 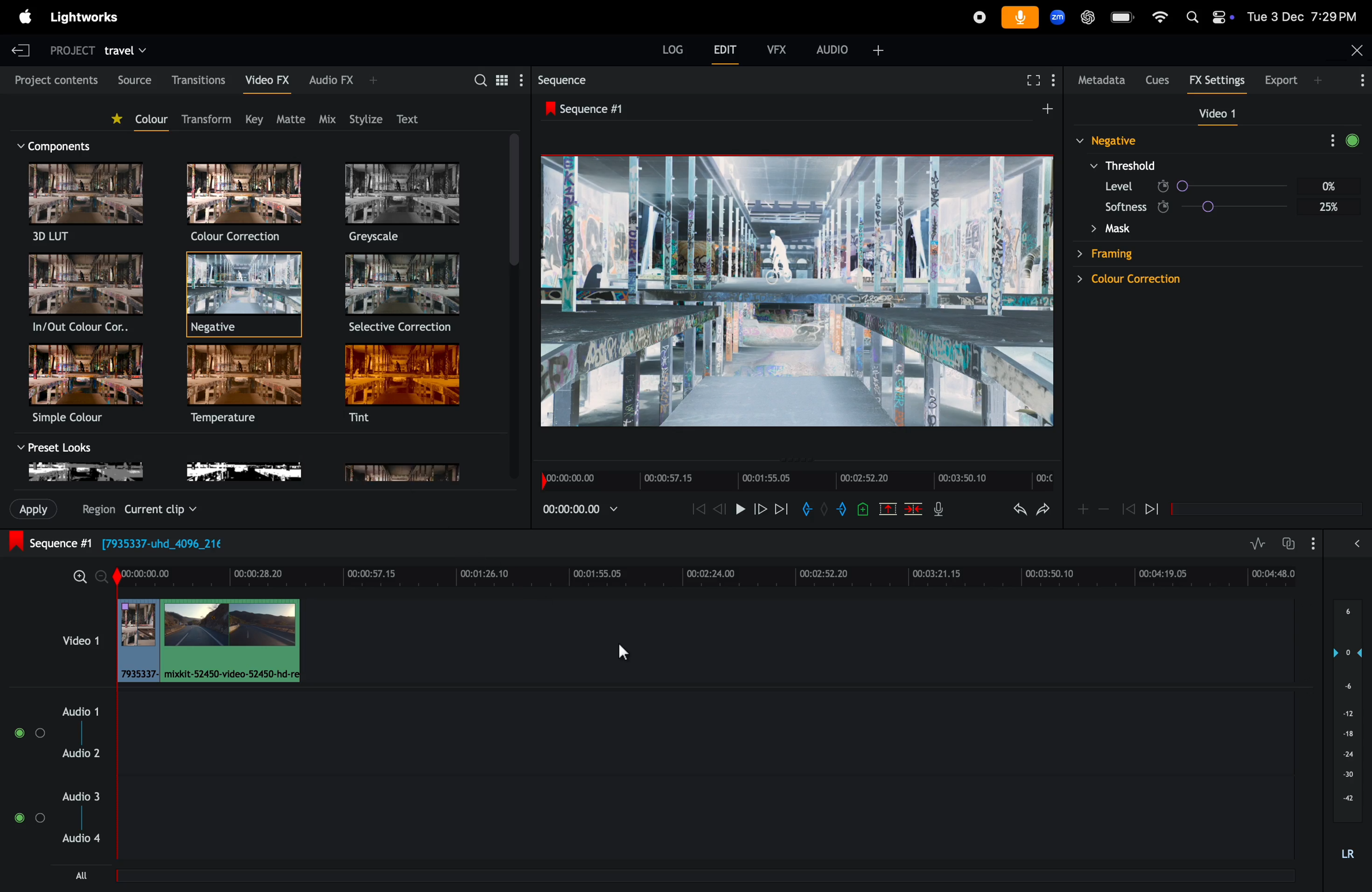 I want to click on pausde, so click(x=1159, y=511).